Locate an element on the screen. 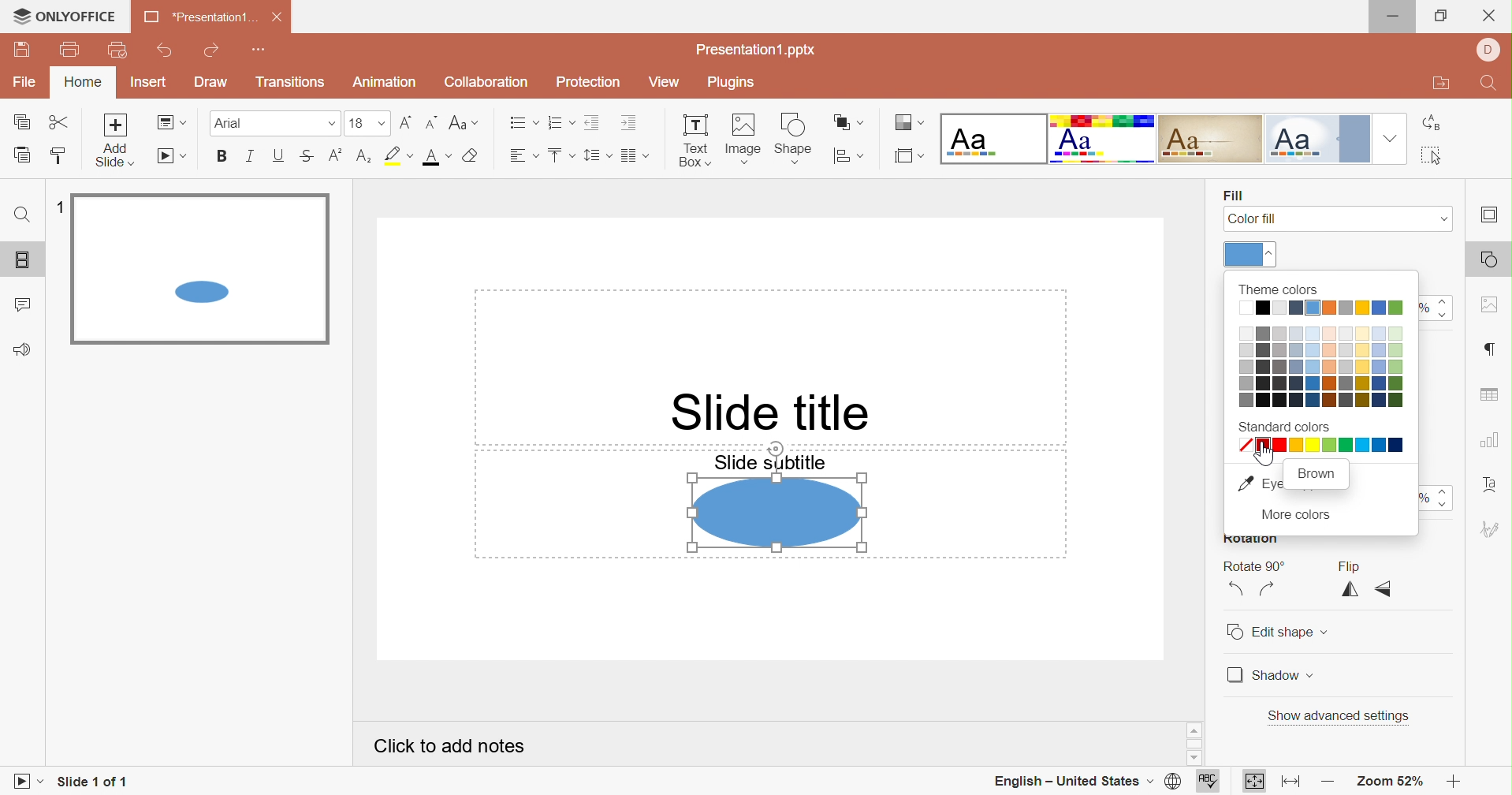  Paragraph settings is located at coordinates (1489, 349).